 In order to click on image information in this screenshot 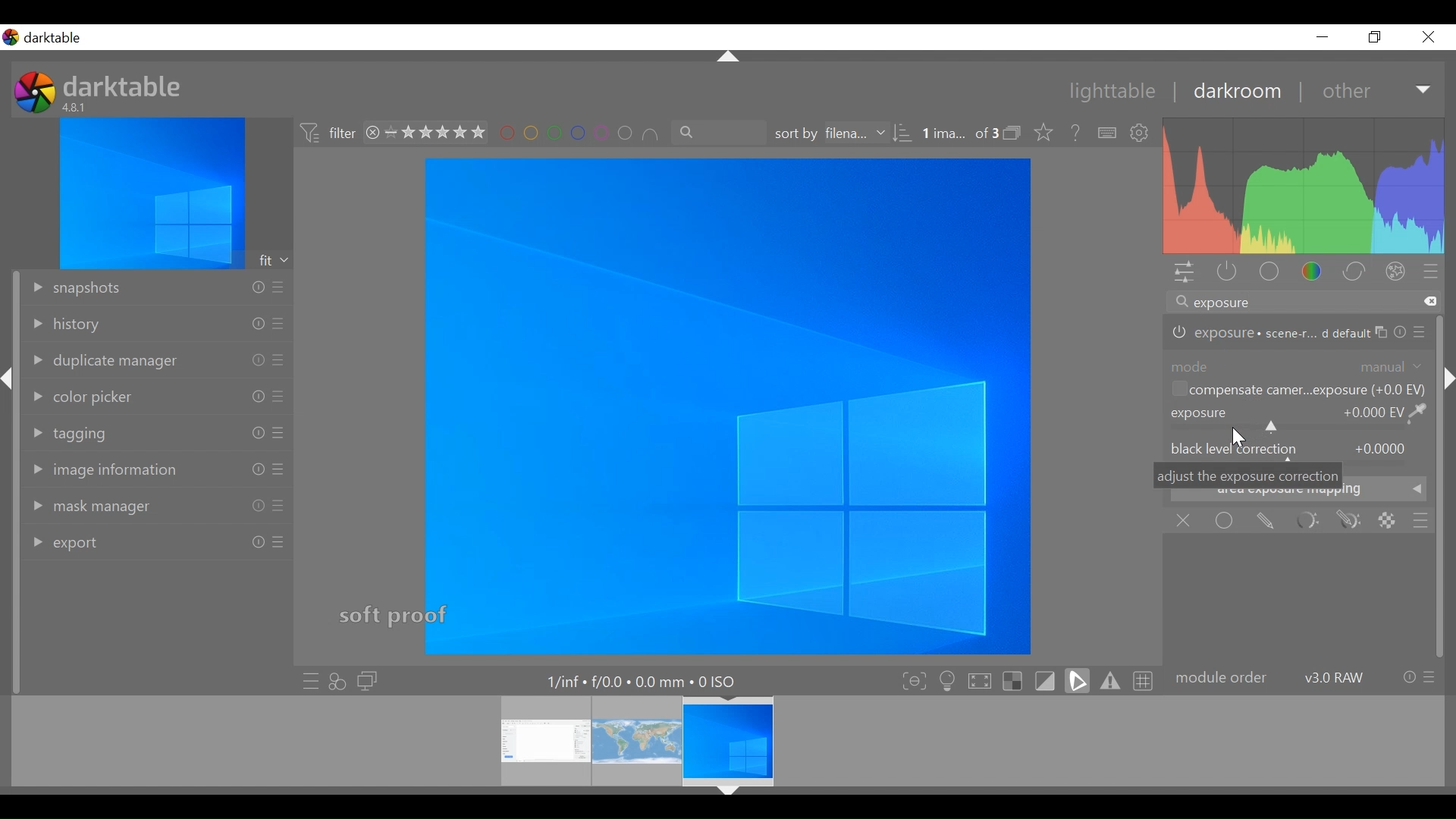, I will do `click(106, 469)`.